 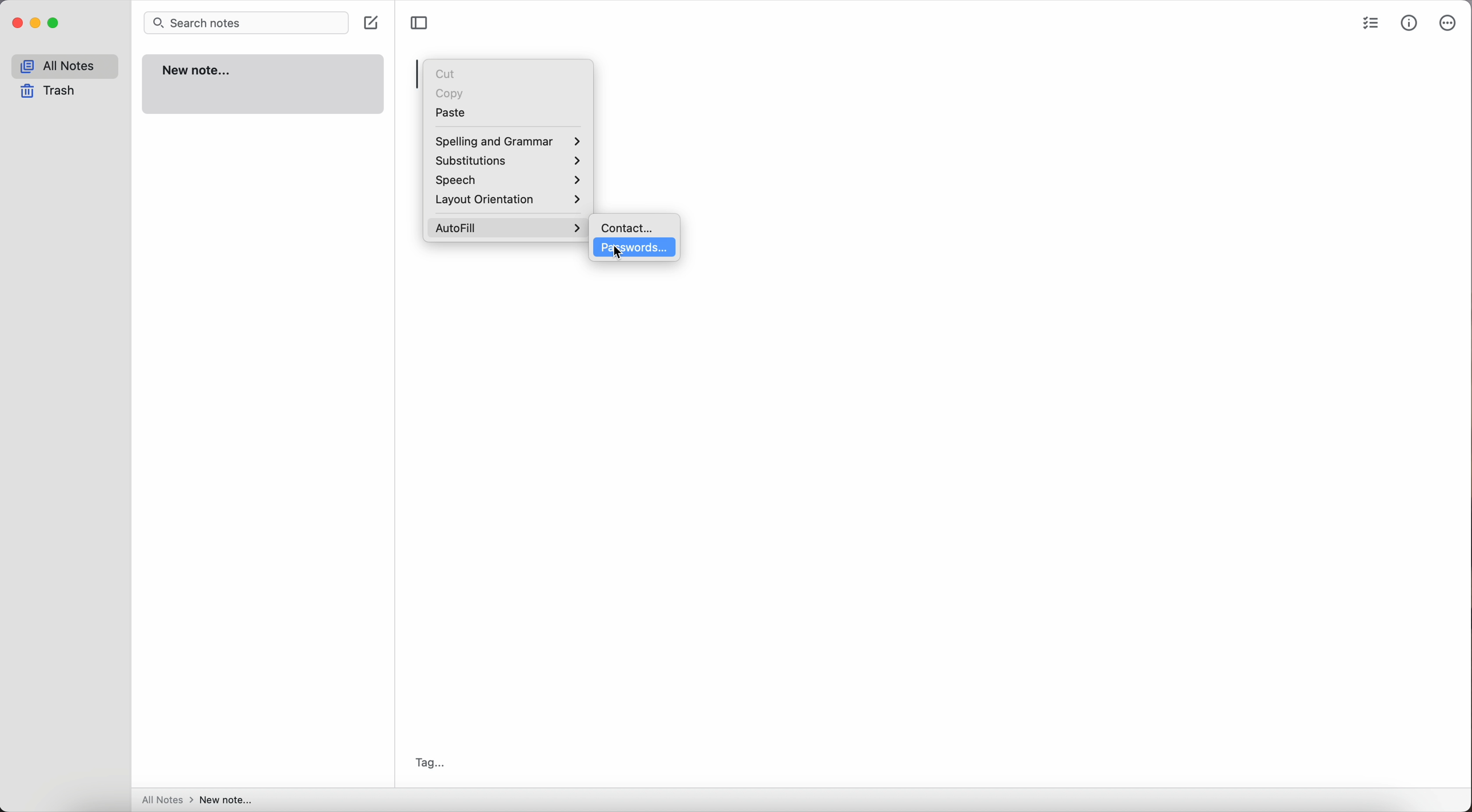 What do you see at coordinates (507, 202) in the screenshot?
I see `layout orientation` at bounding box center [507, 202].